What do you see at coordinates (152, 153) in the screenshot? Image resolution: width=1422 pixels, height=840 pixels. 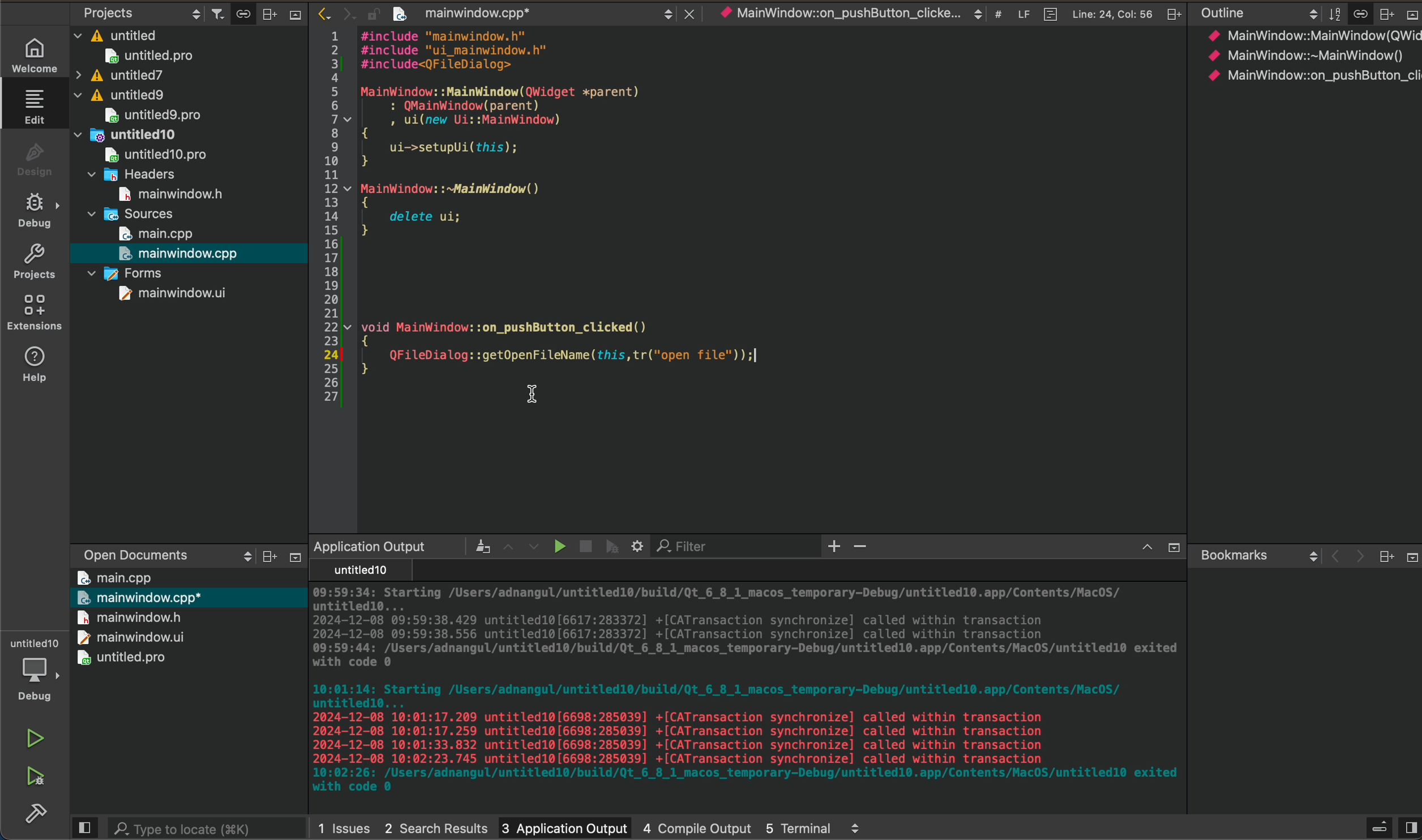 I see `untitled10.oro` at bounding box center [152, 153].